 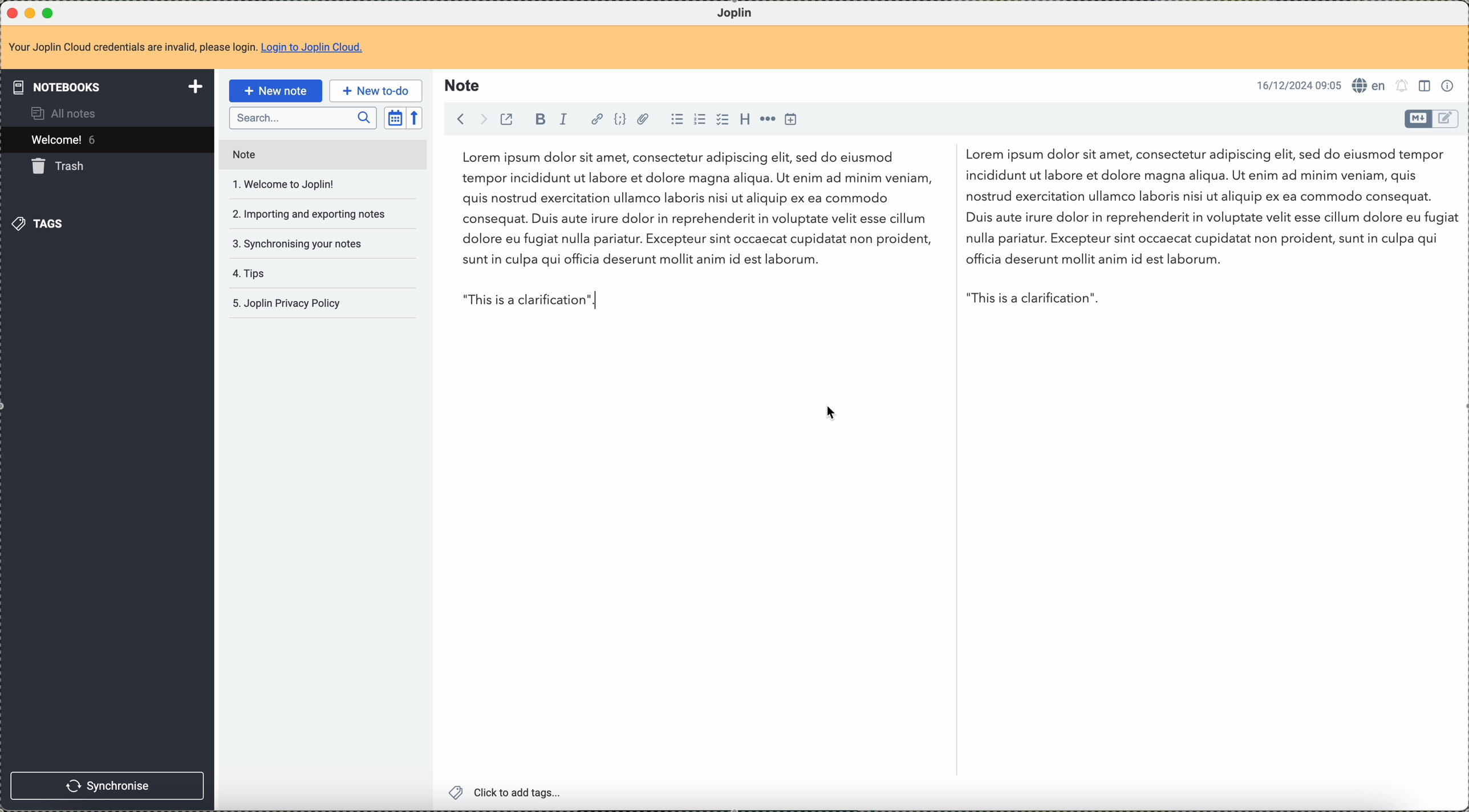 I want to click on click to add tags, so click(x=505, y=793).